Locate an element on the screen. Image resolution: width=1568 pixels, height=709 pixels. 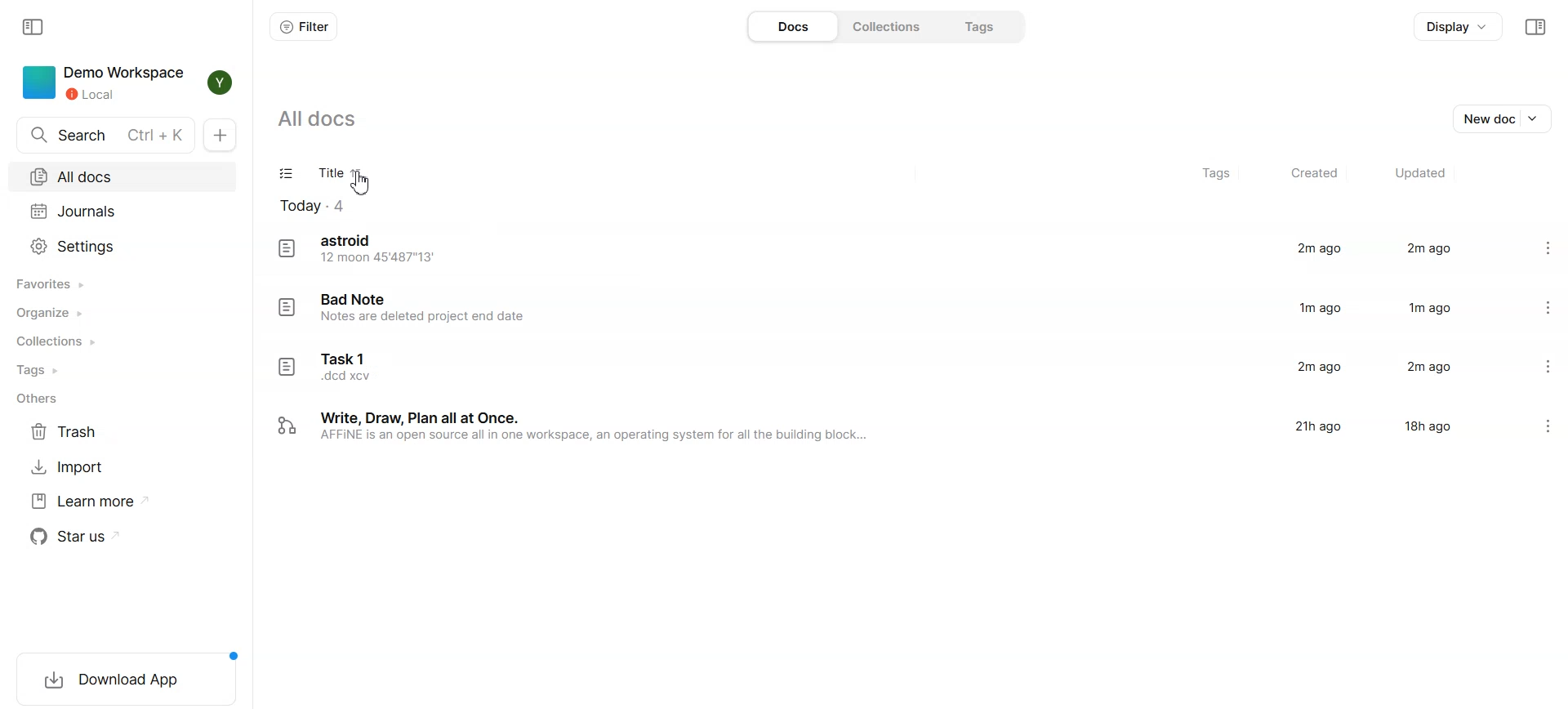
AFFINE is an open source all in one workspace, an operating system for all the building block... is located at coordinates (597, 437).